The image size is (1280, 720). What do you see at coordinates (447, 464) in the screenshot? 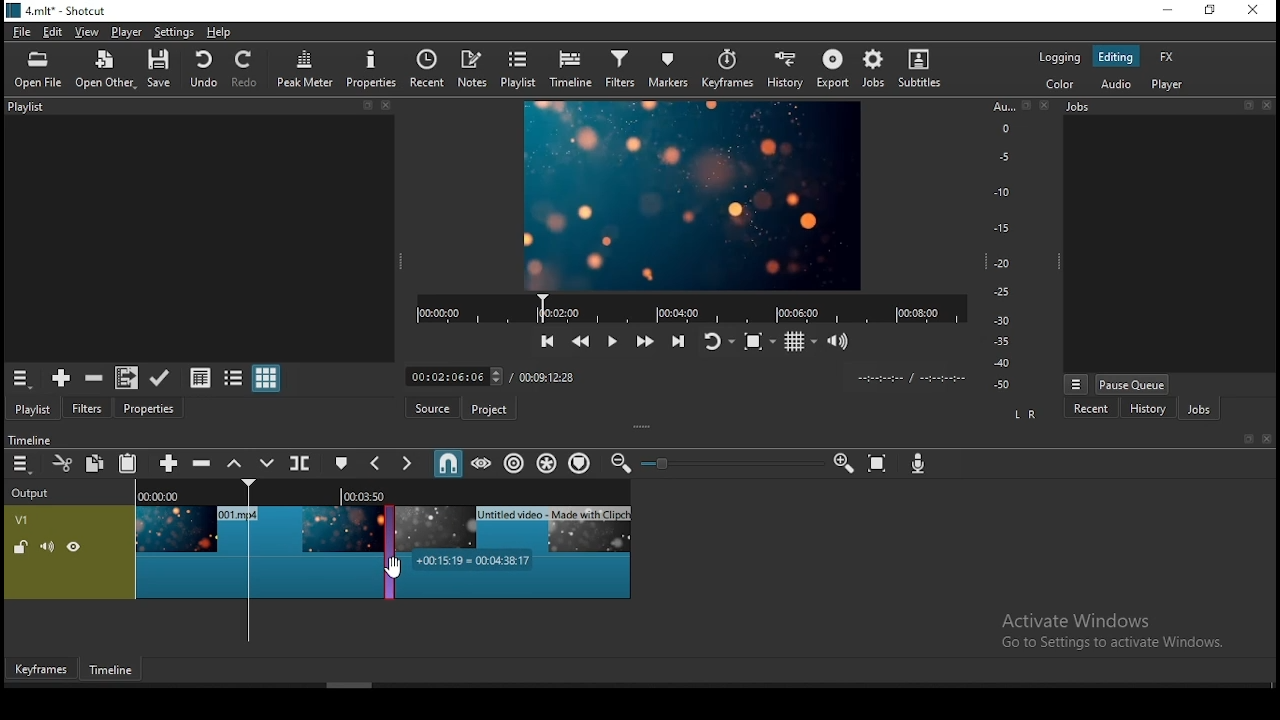
I see `snap` at bounding box center [447, 464].